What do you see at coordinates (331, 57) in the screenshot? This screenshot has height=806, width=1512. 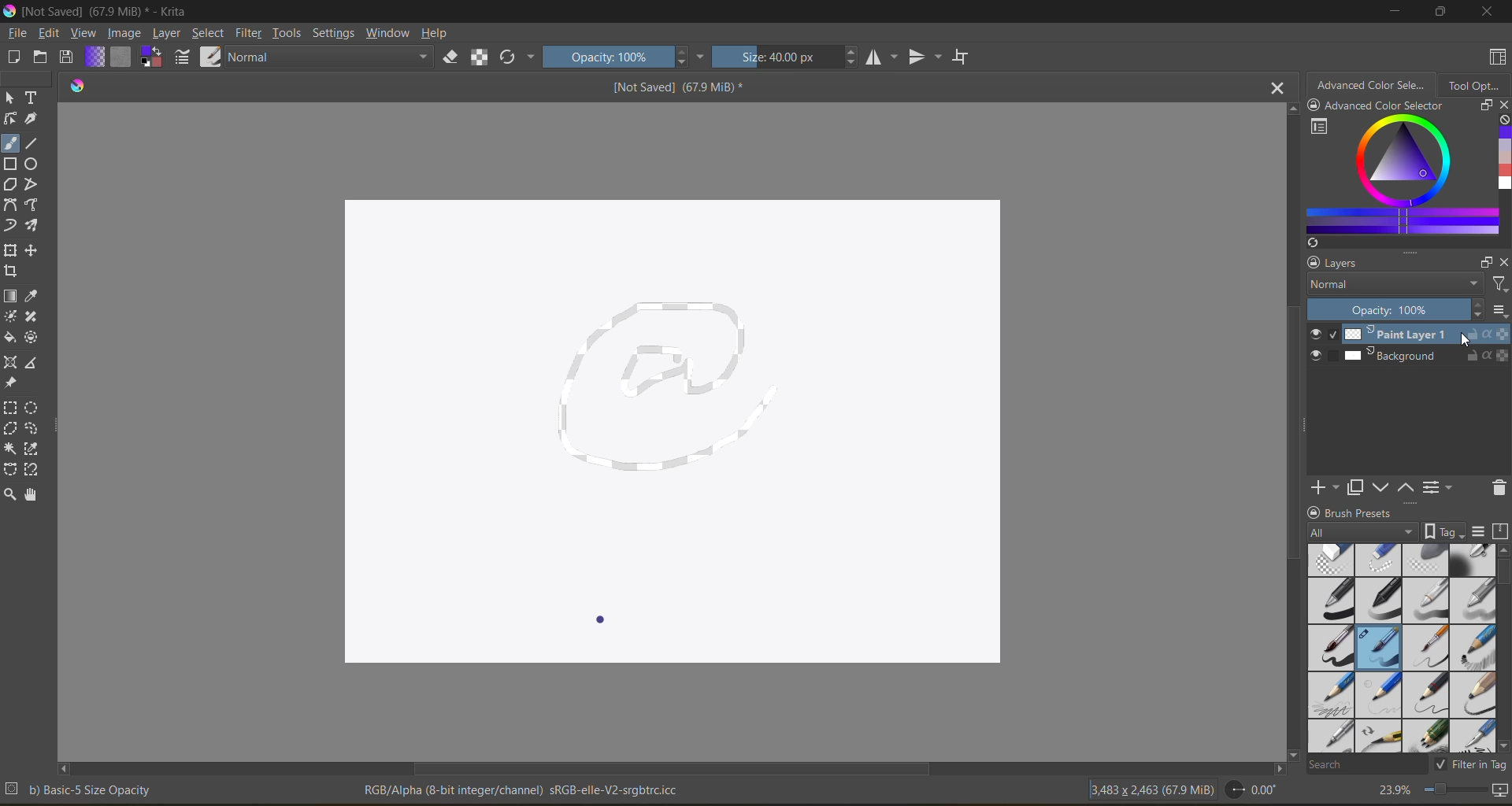 I see `normal` at bounding box center [331, 57].